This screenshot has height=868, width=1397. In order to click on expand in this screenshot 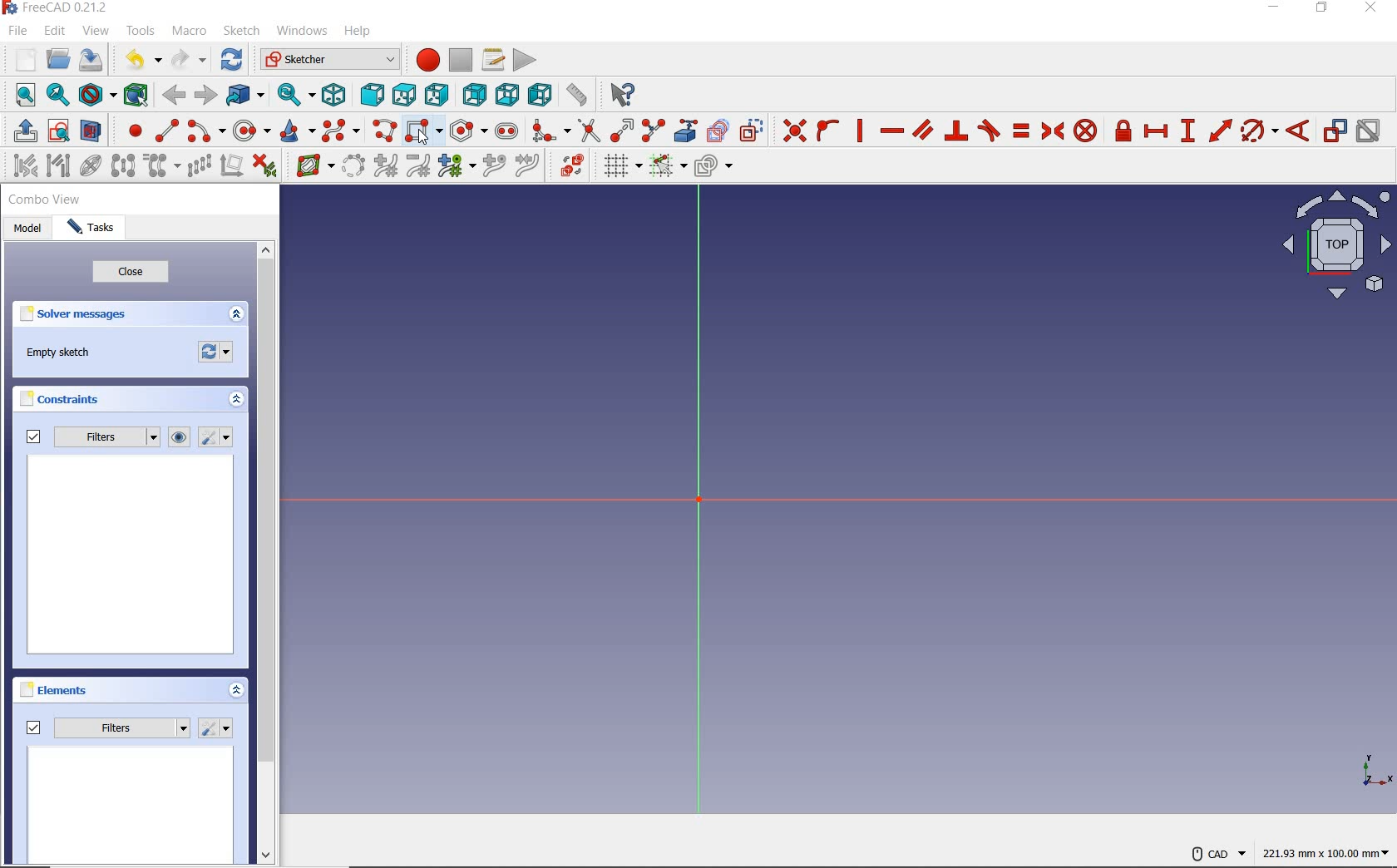, I will do `click(235, 689)`.